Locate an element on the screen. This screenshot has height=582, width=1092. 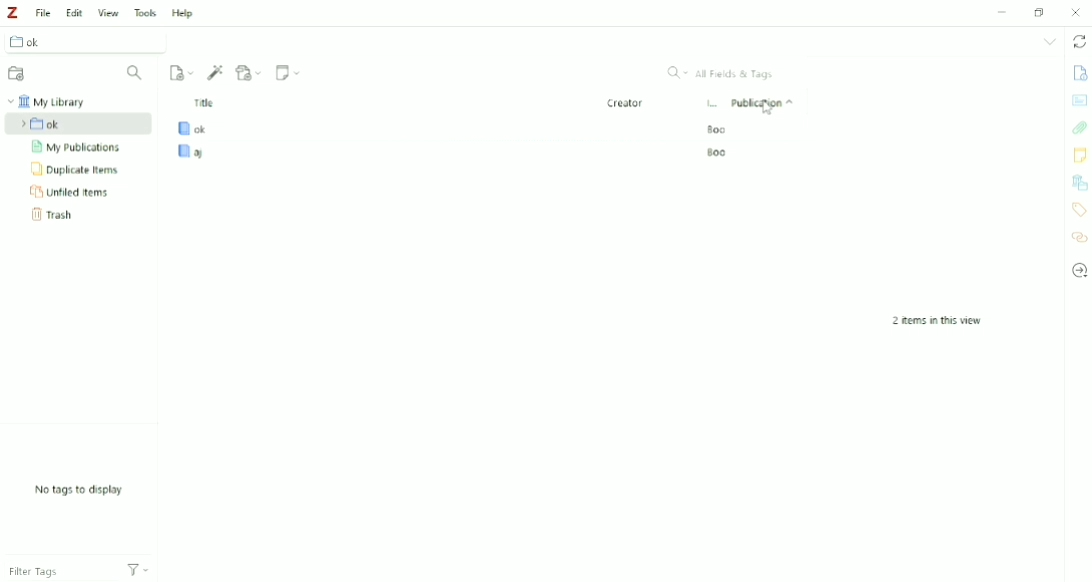
My Publications is located at coordinates (74, 147).